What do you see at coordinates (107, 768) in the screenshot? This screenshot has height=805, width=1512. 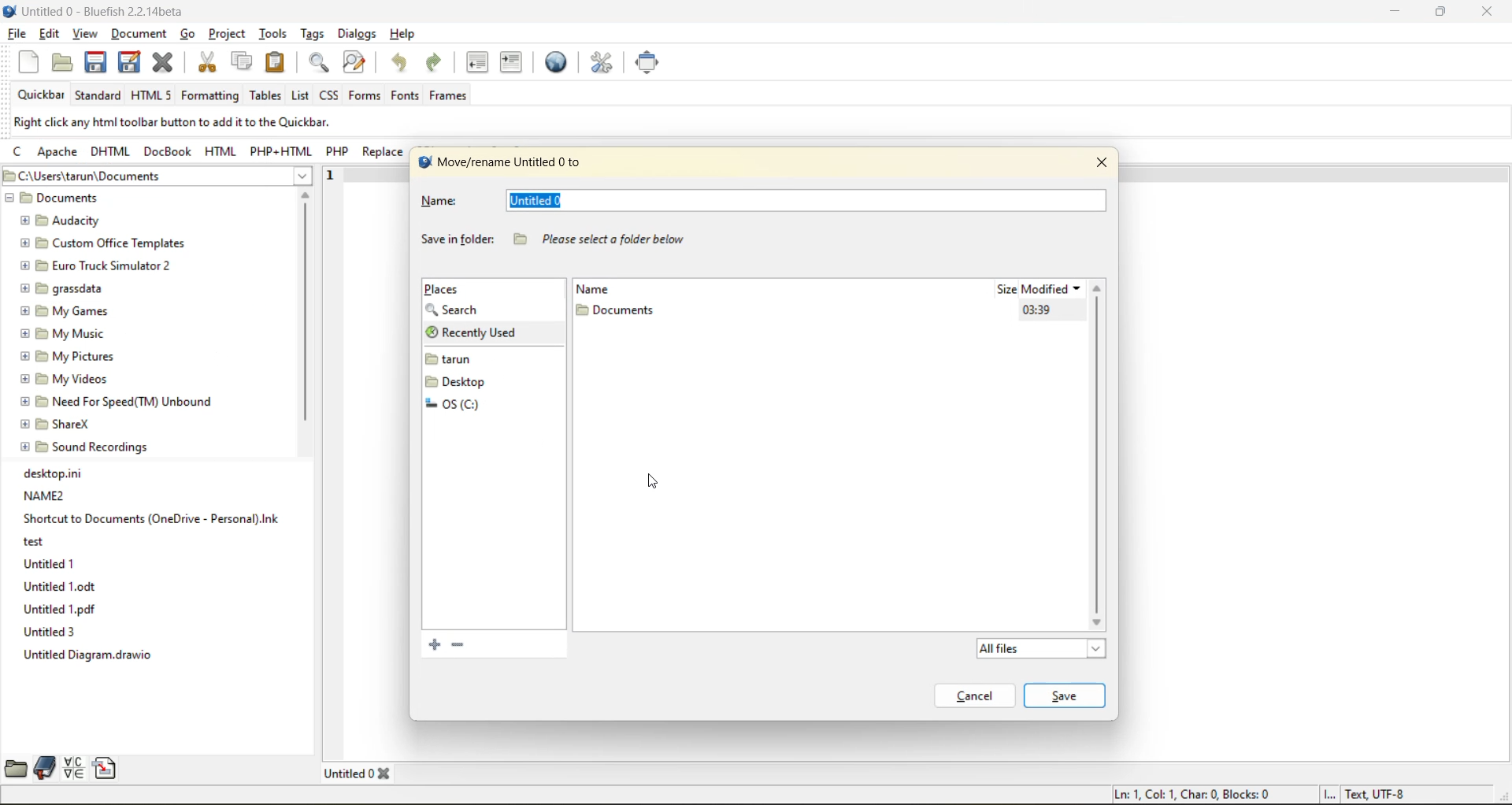 I see `snippets` at bounding box center [107, 768].